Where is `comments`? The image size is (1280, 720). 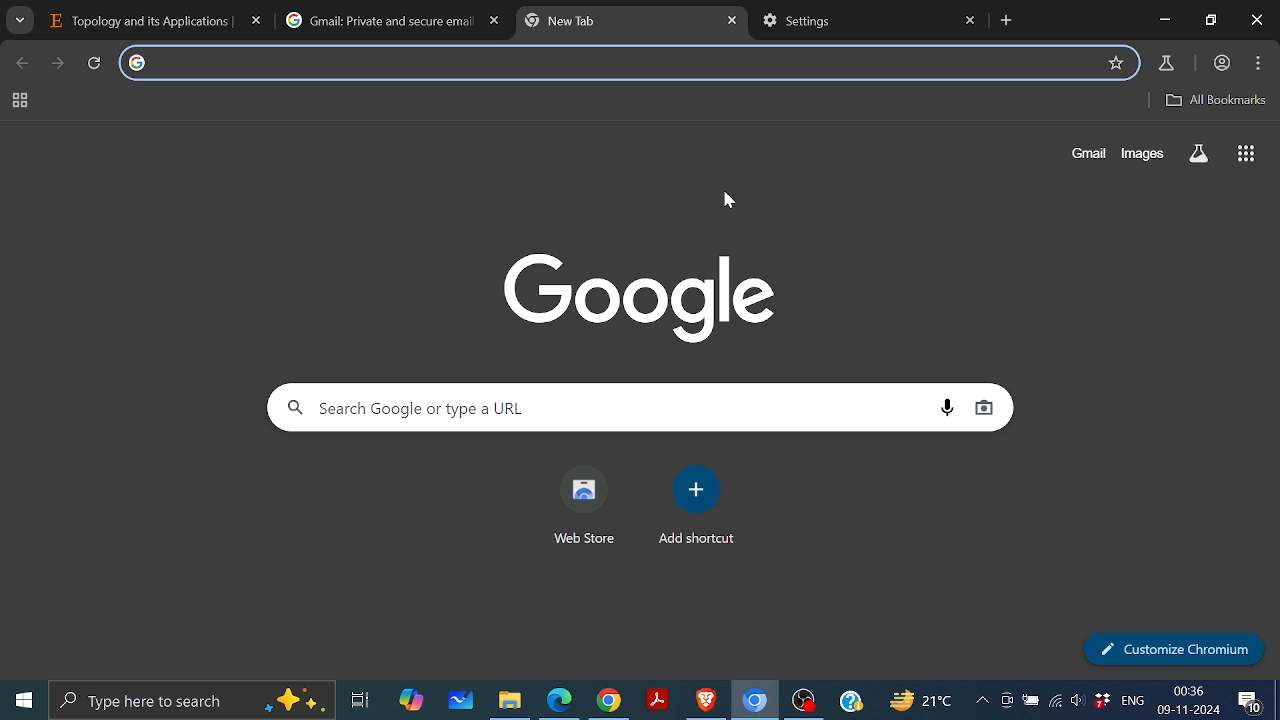 comments is located at coordinates (1253, 704).